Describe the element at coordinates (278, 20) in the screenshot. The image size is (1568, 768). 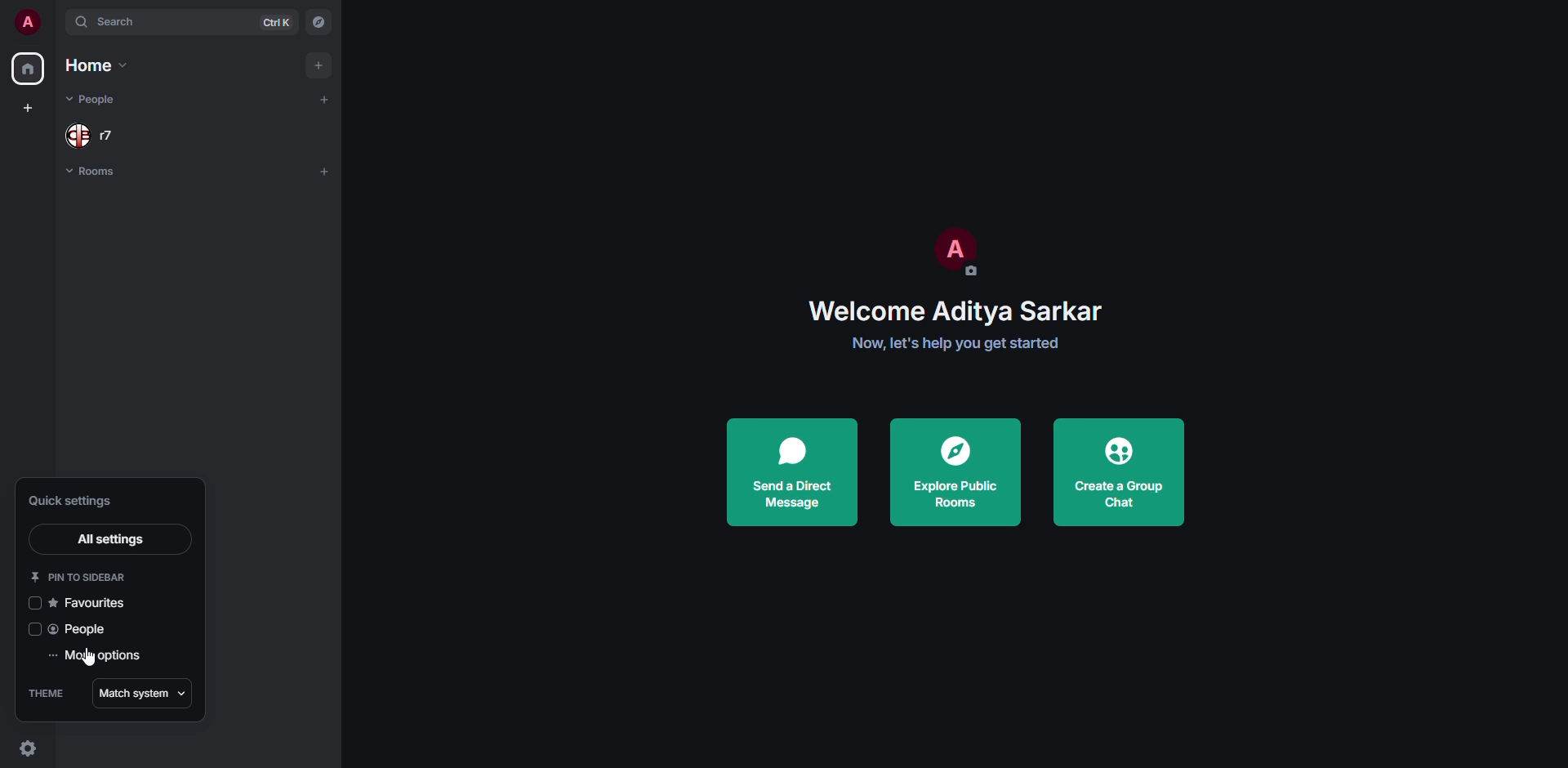
I see `ctrl K` at that location.